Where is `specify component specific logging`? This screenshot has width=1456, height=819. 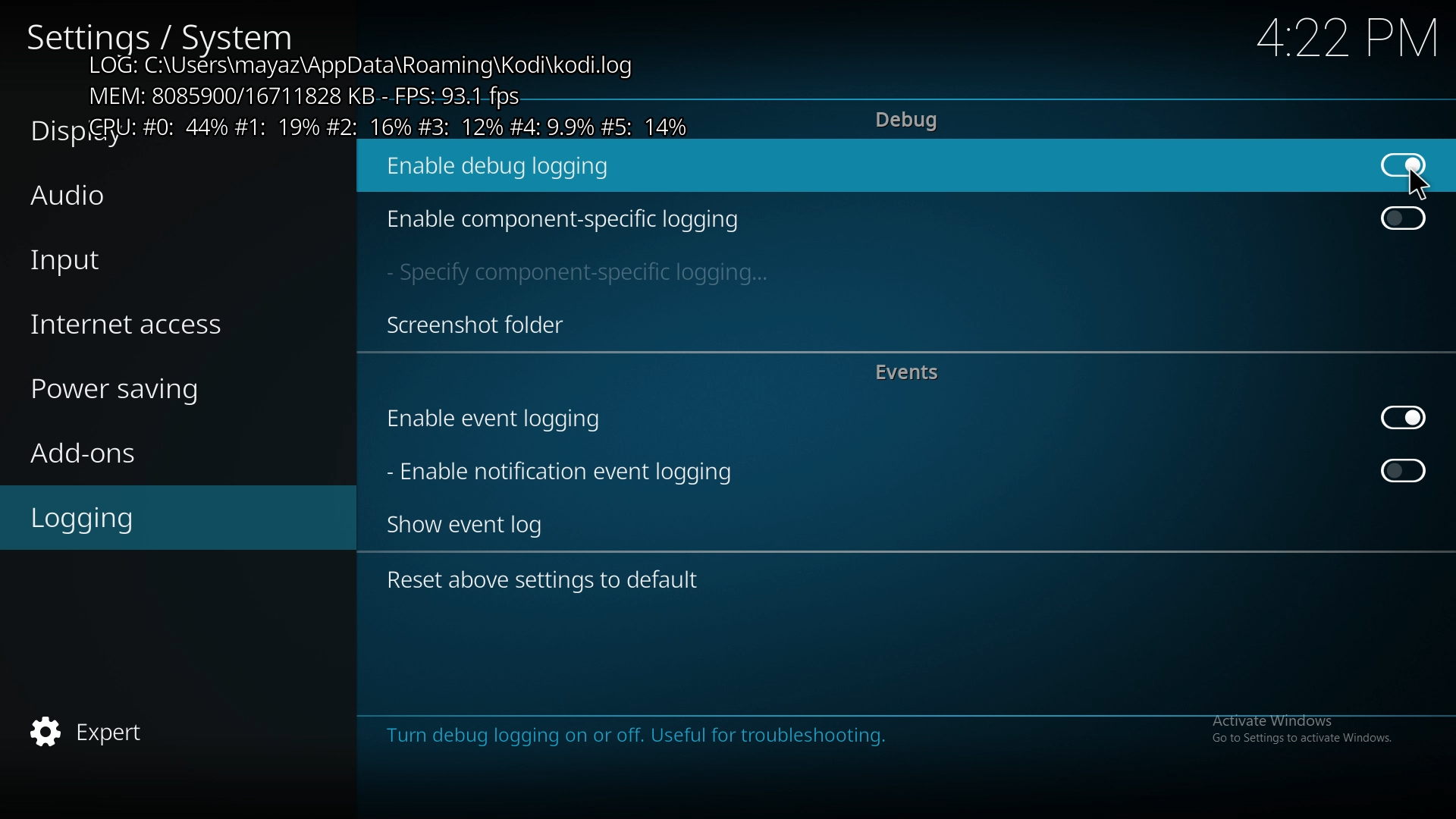 specify component specific logging is located at coordinates (585, 275).